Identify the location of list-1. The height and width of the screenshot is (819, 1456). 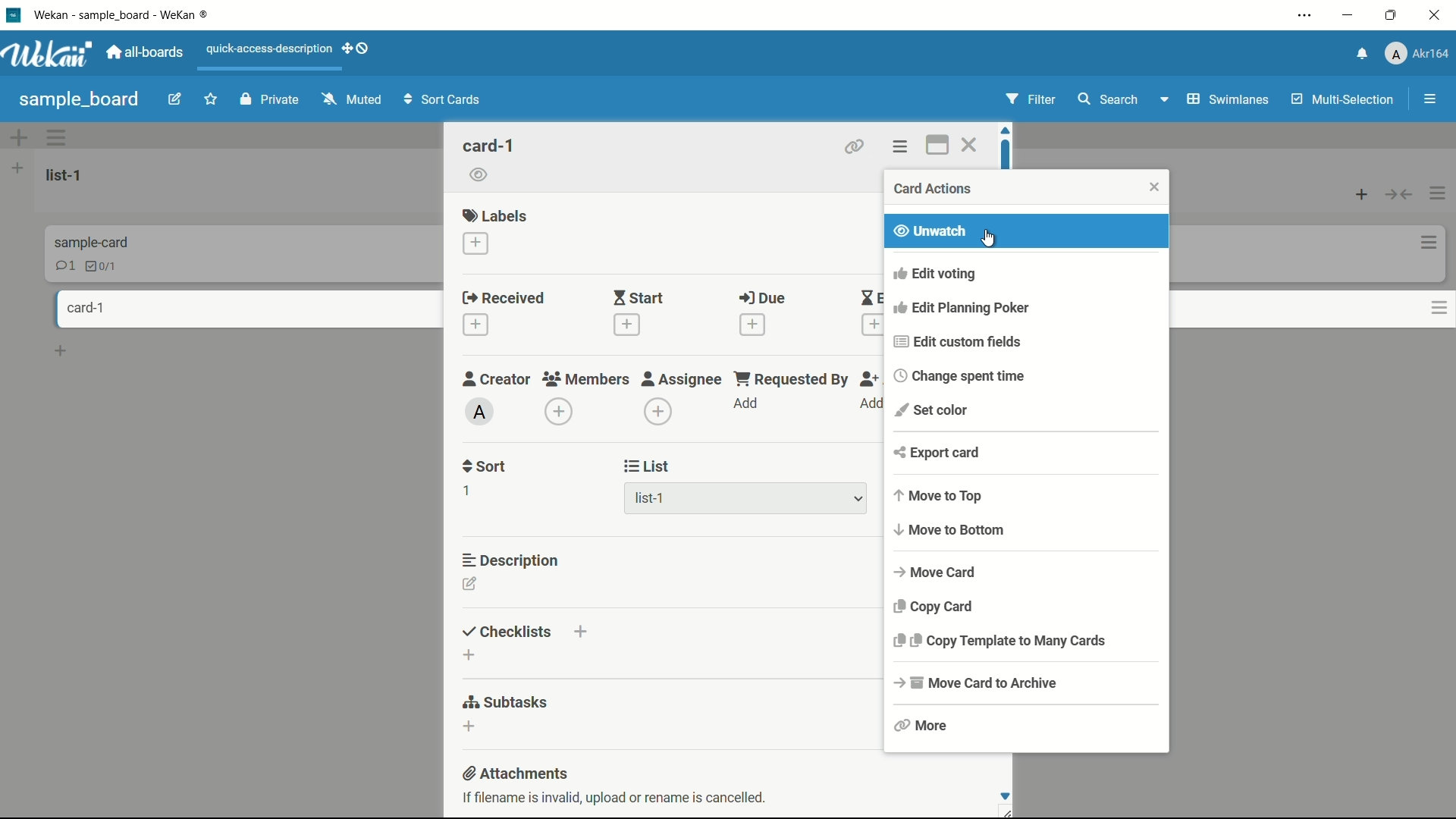
(64, 176).